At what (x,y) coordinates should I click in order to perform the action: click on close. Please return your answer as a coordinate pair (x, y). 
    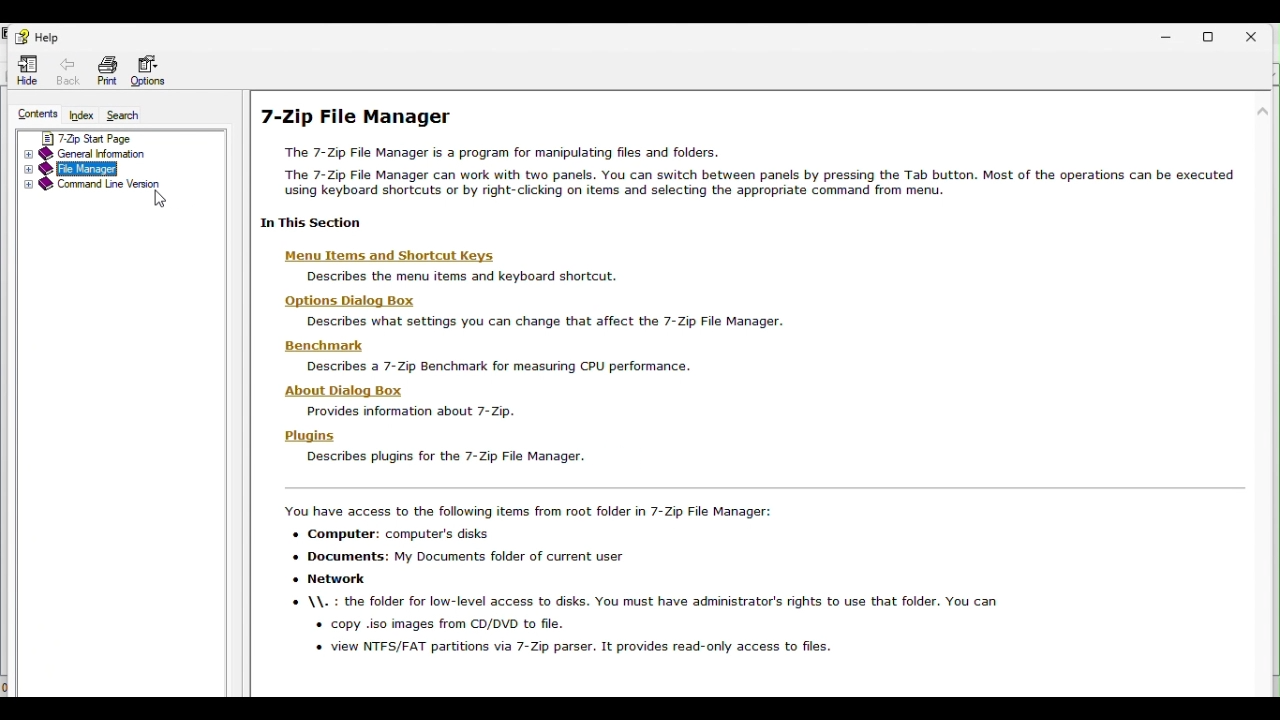
    Looking at the image, I should click on (1260, 35).